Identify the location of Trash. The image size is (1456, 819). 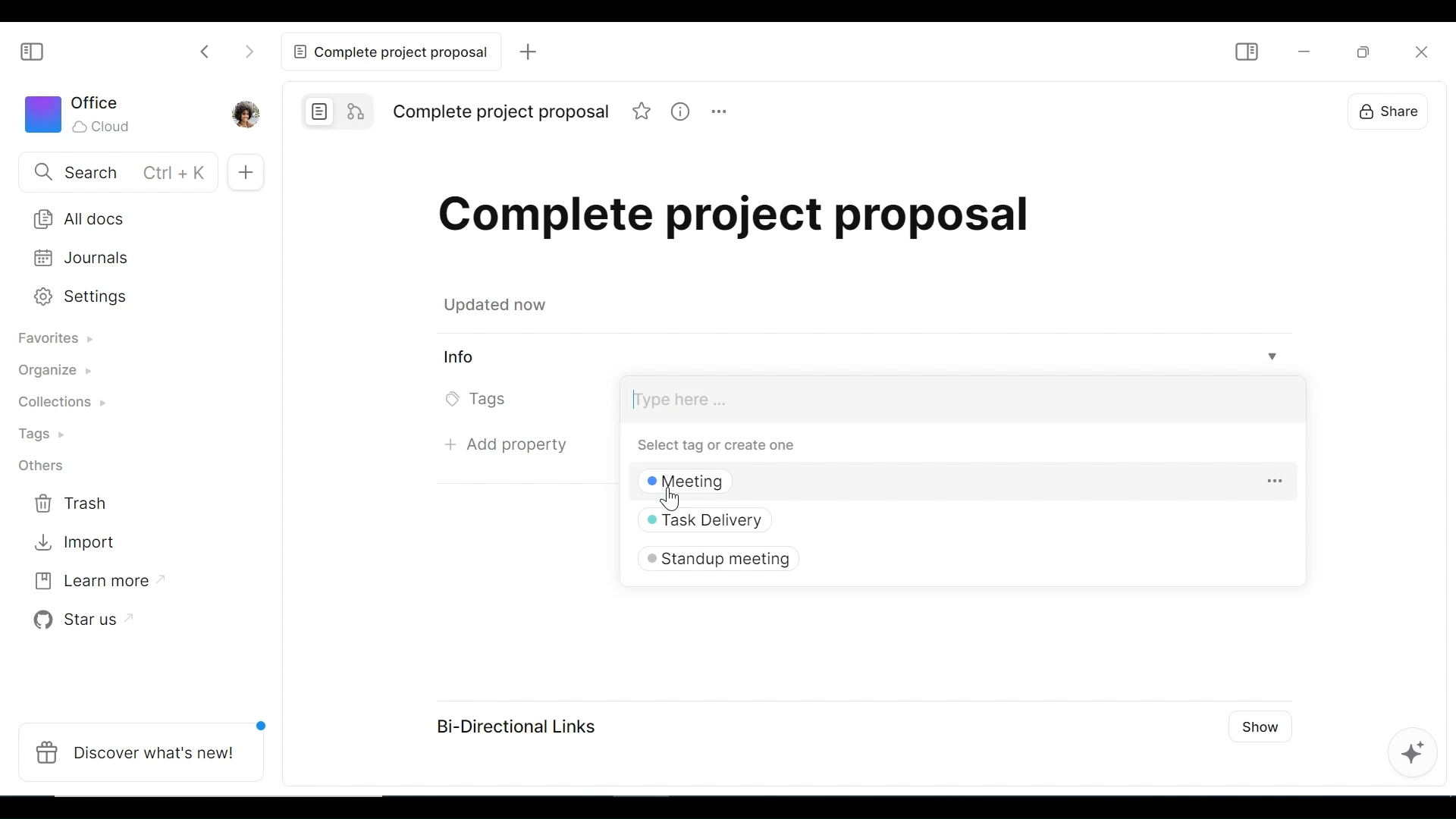
(72, 504).